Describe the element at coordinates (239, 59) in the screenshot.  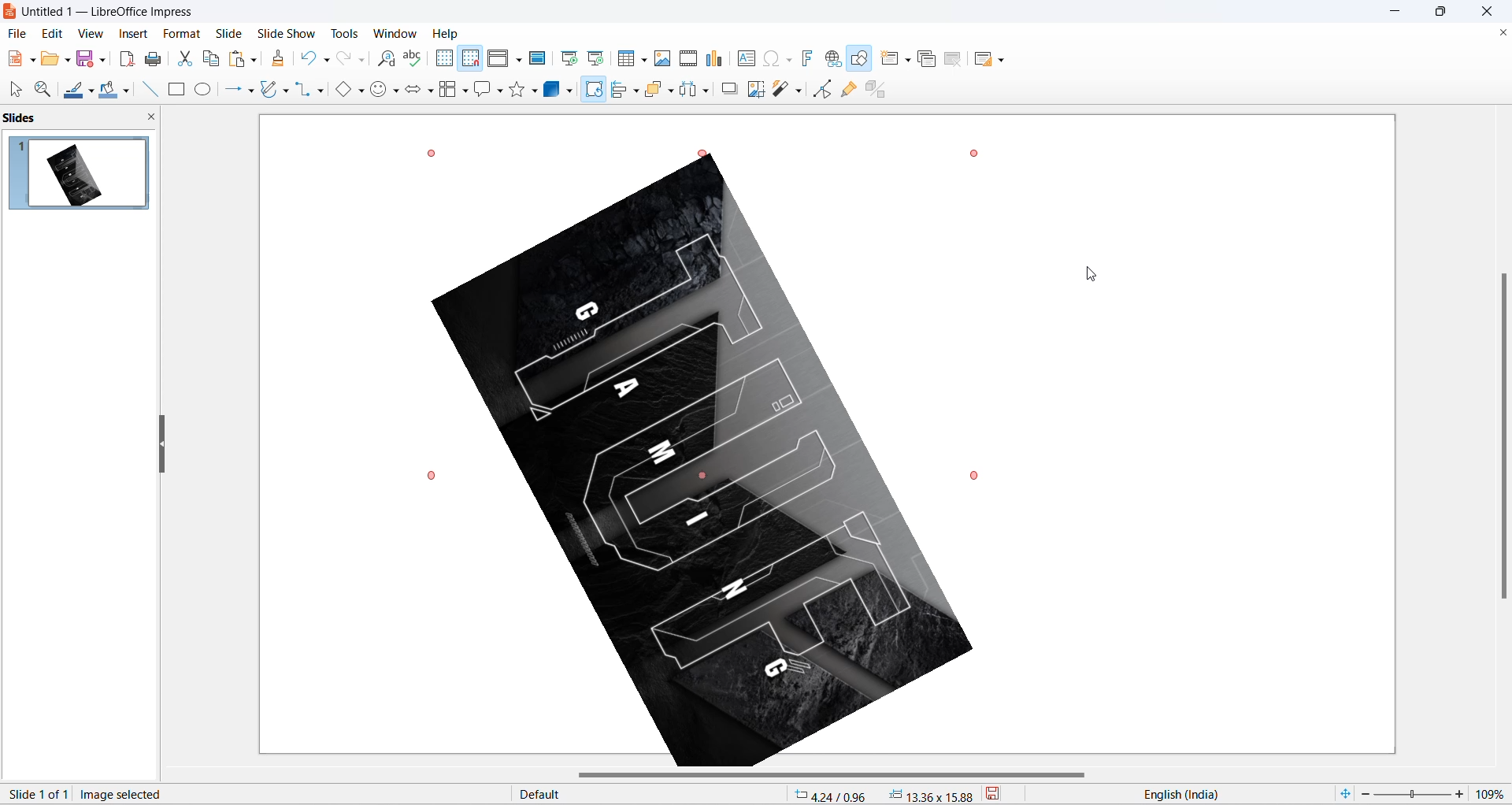
I see `paste` at that location.